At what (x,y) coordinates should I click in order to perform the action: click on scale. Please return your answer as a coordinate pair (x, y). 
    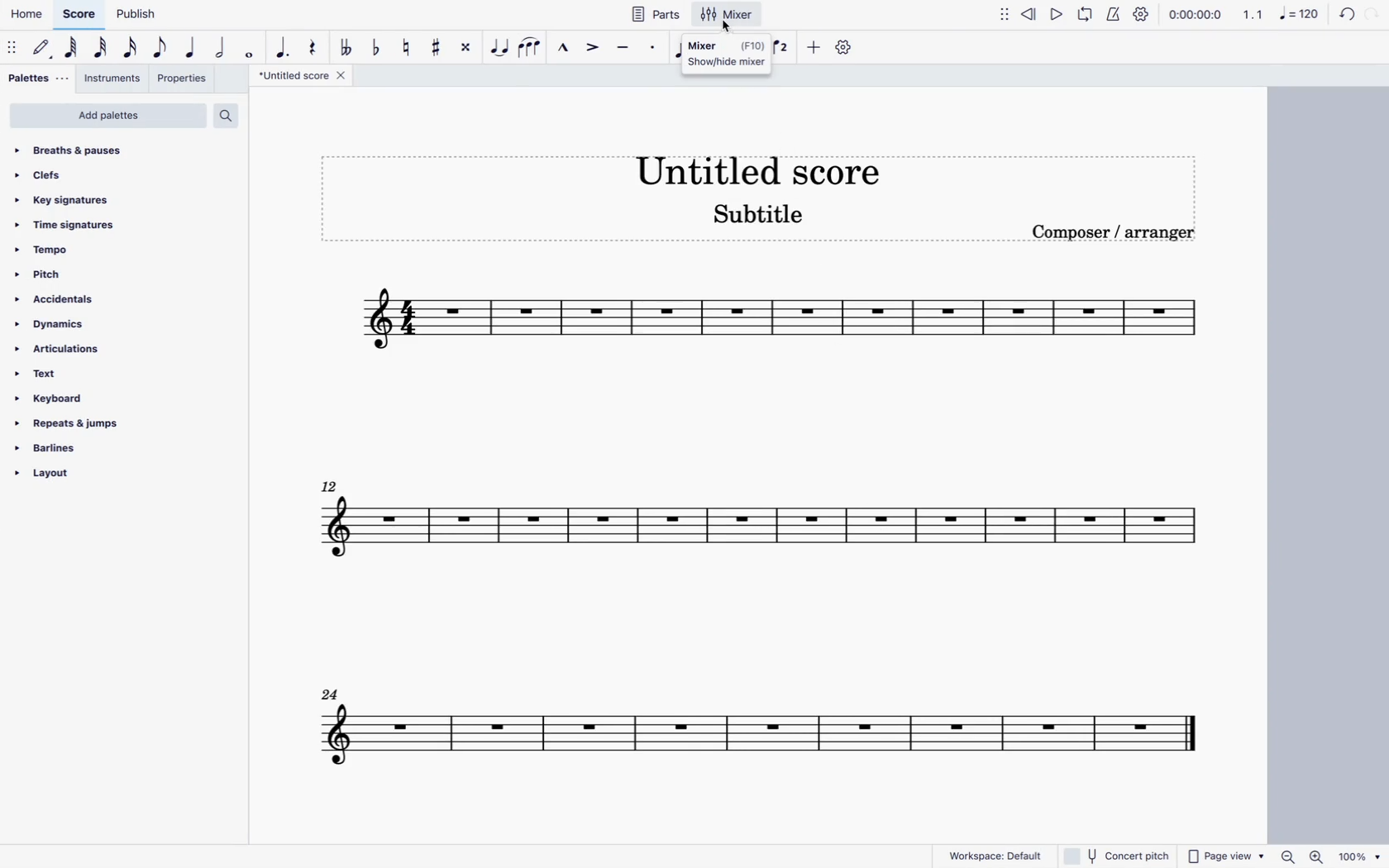
    Looking at the image, I should click on (755, 736).